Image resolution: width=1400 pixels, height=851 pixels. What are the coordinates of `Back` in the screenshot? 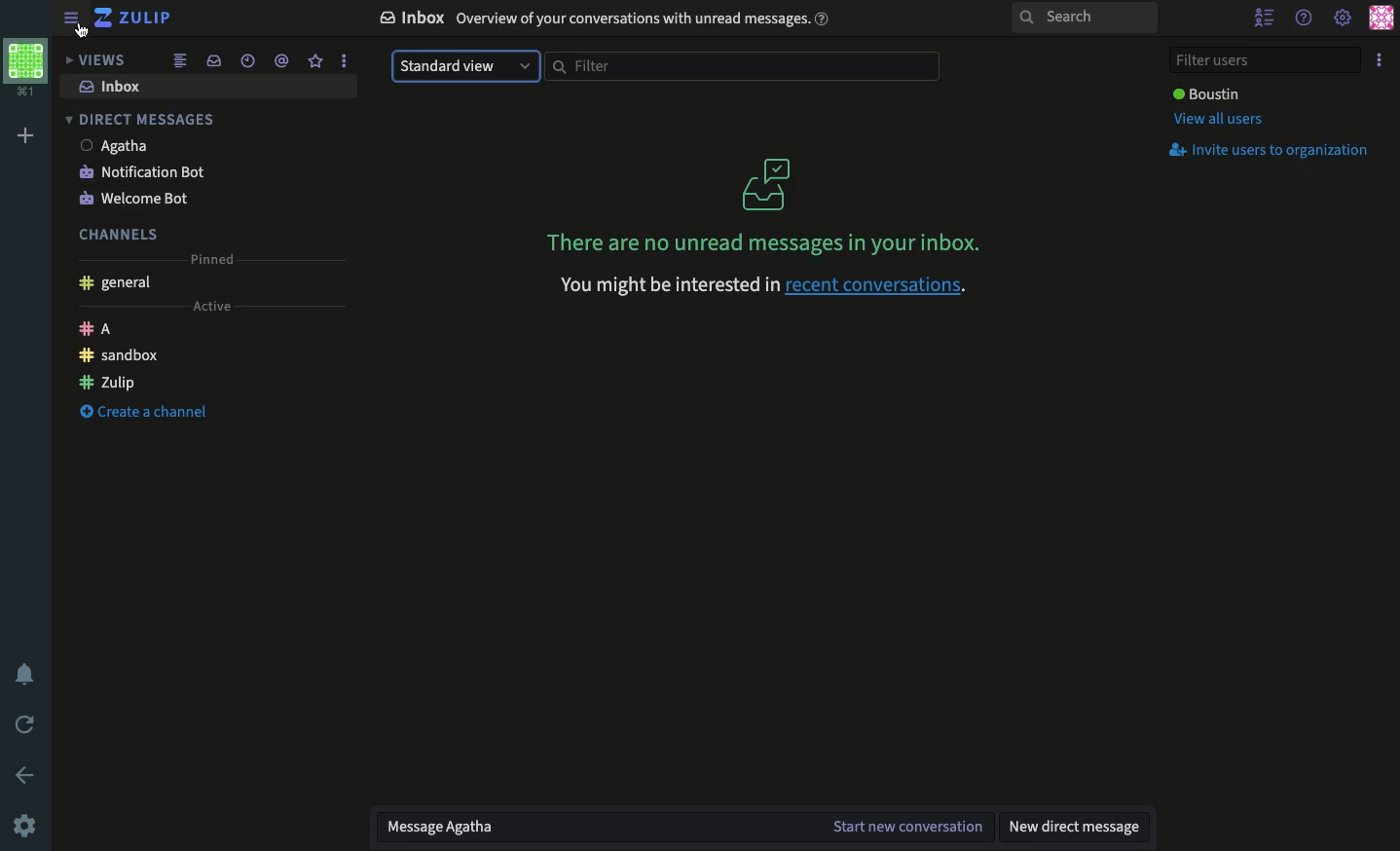 It's located at (25, 775).